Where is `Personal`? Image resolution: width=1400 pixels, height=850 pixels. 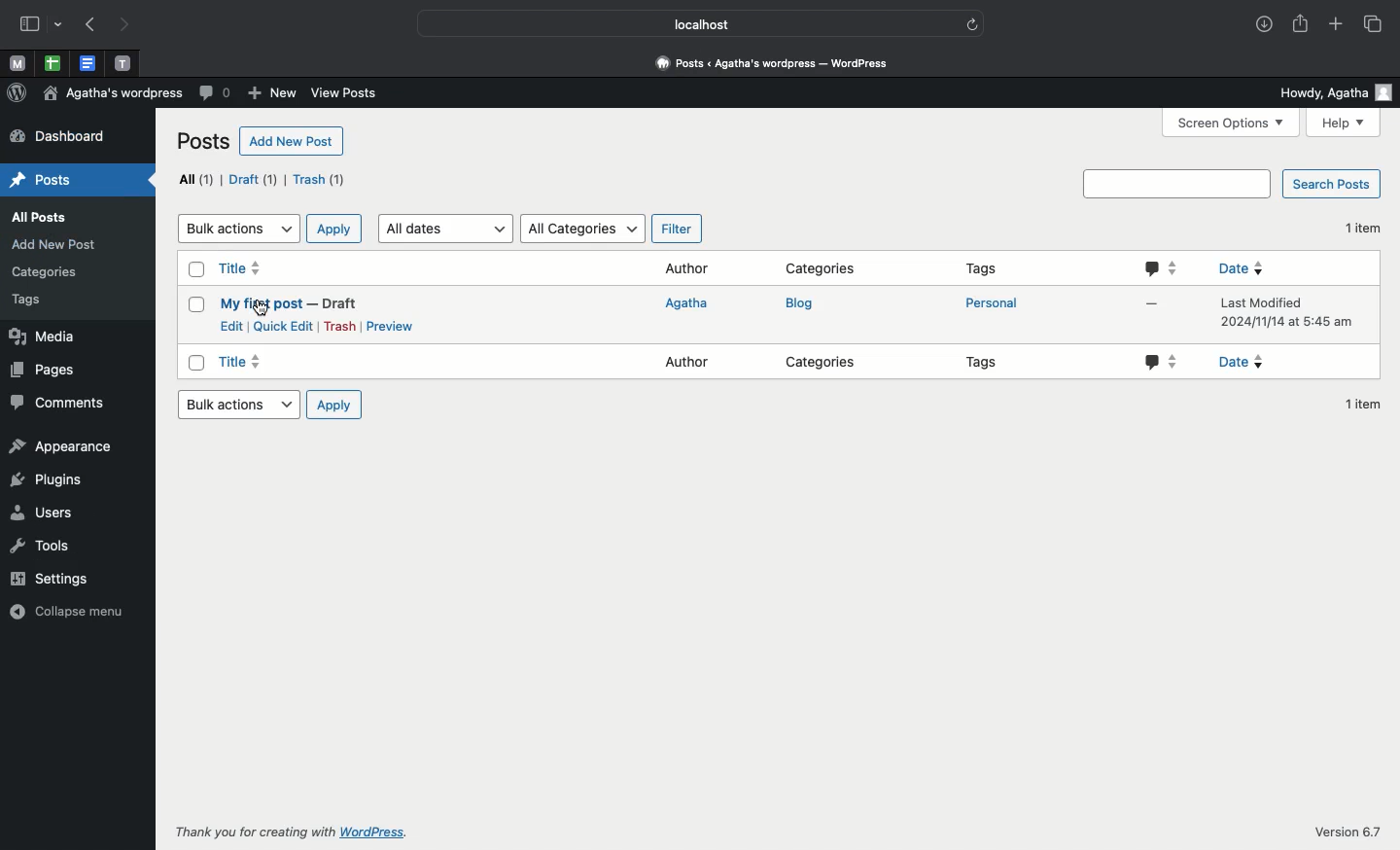
Personal is located at coordinates (995, 304).